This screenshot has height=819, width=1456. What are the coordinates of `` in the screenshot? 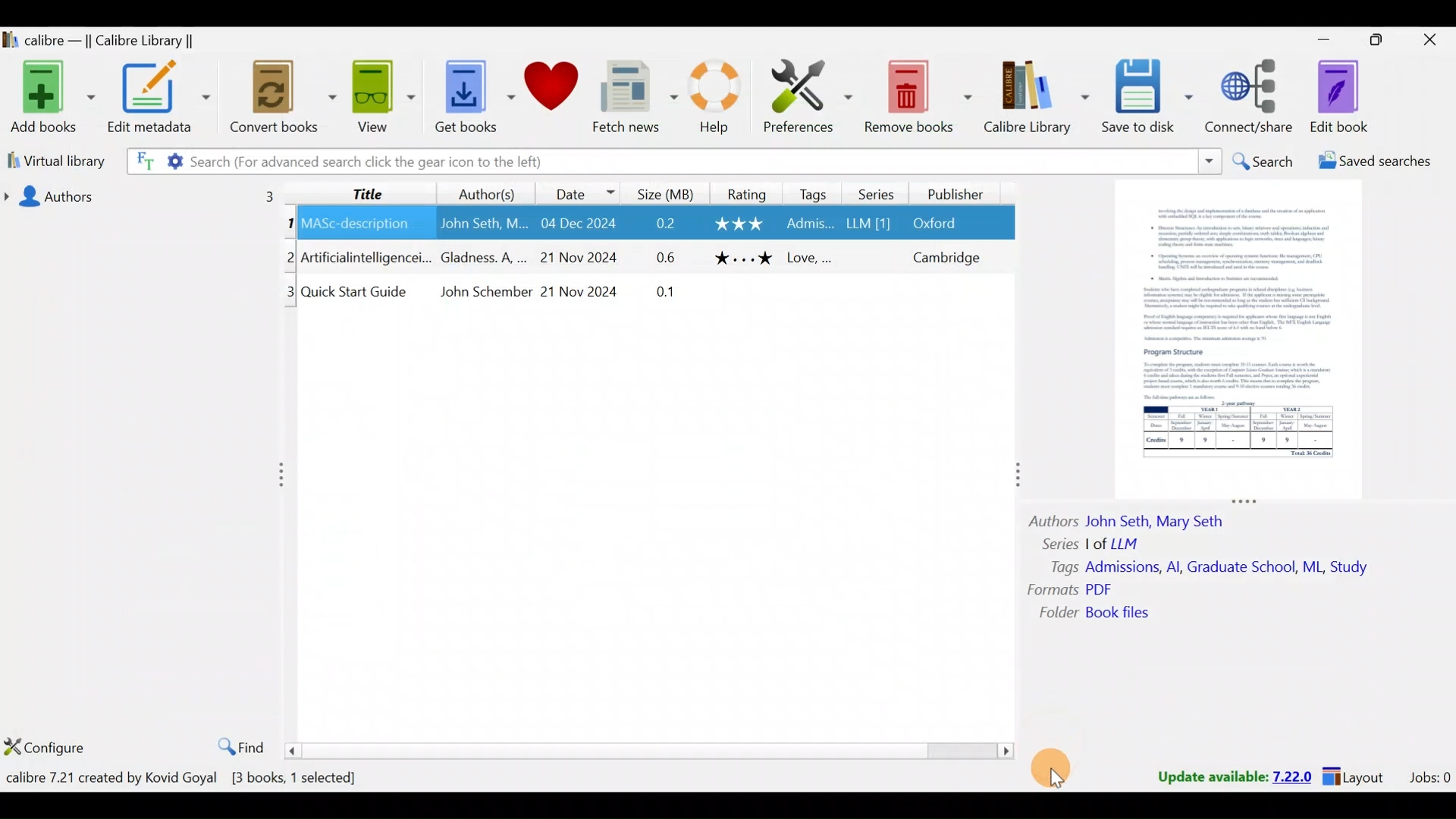 It's located at (670, 224).